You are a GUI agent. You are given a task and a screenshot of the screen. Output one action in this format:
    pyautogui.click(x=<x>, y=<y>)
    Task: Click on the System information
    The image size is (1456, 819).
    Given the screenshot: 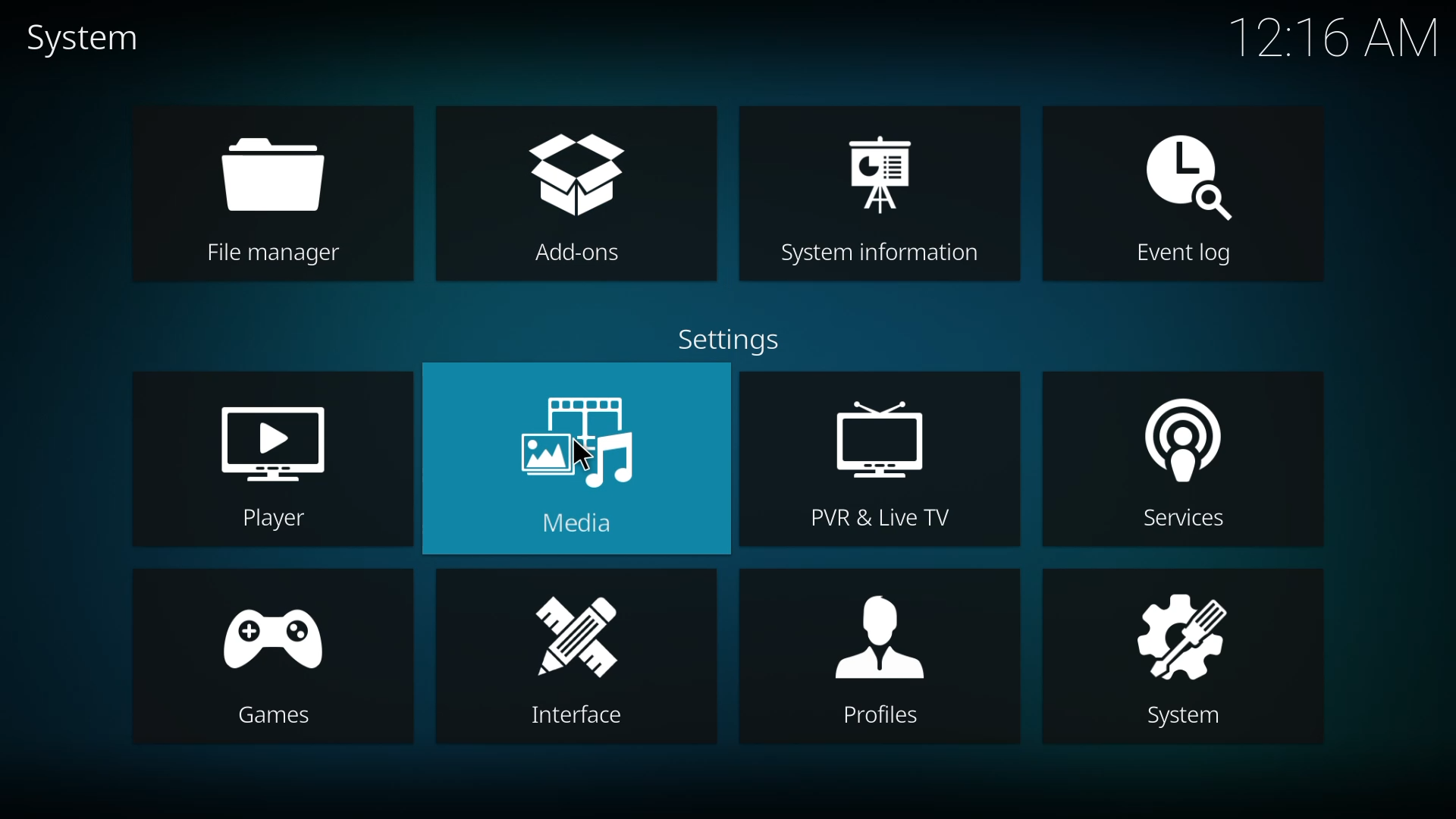 What is the action you would take?
    pyautogui.click(x=881, y=253)
    